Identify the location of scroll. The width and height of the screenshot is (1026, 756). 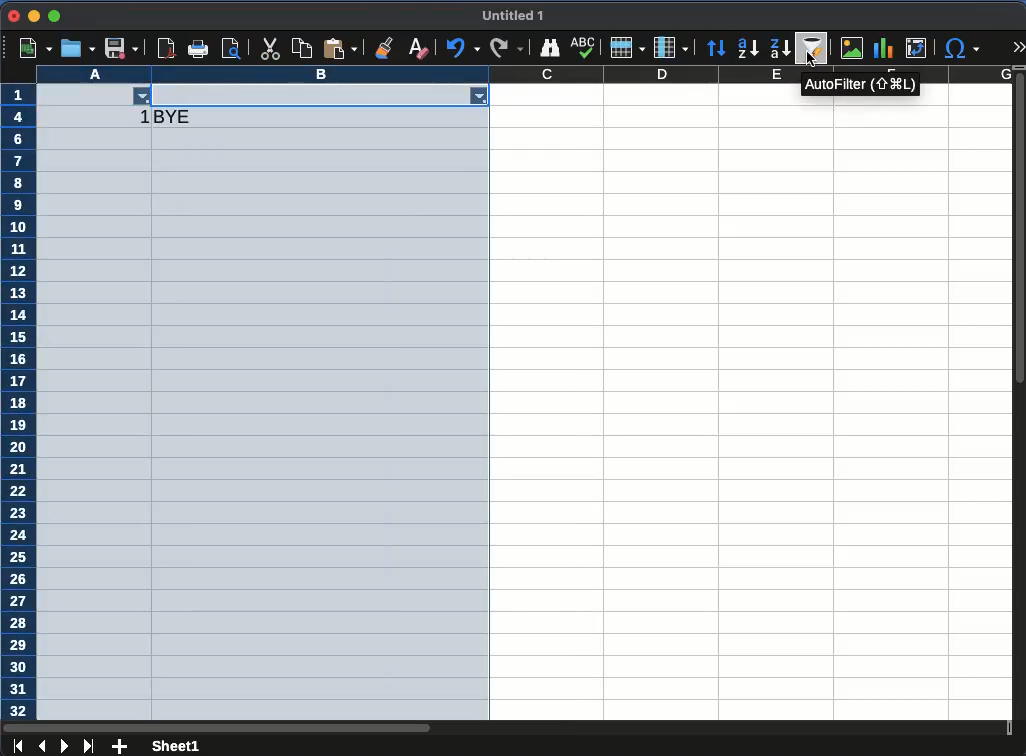
(1020, 394).